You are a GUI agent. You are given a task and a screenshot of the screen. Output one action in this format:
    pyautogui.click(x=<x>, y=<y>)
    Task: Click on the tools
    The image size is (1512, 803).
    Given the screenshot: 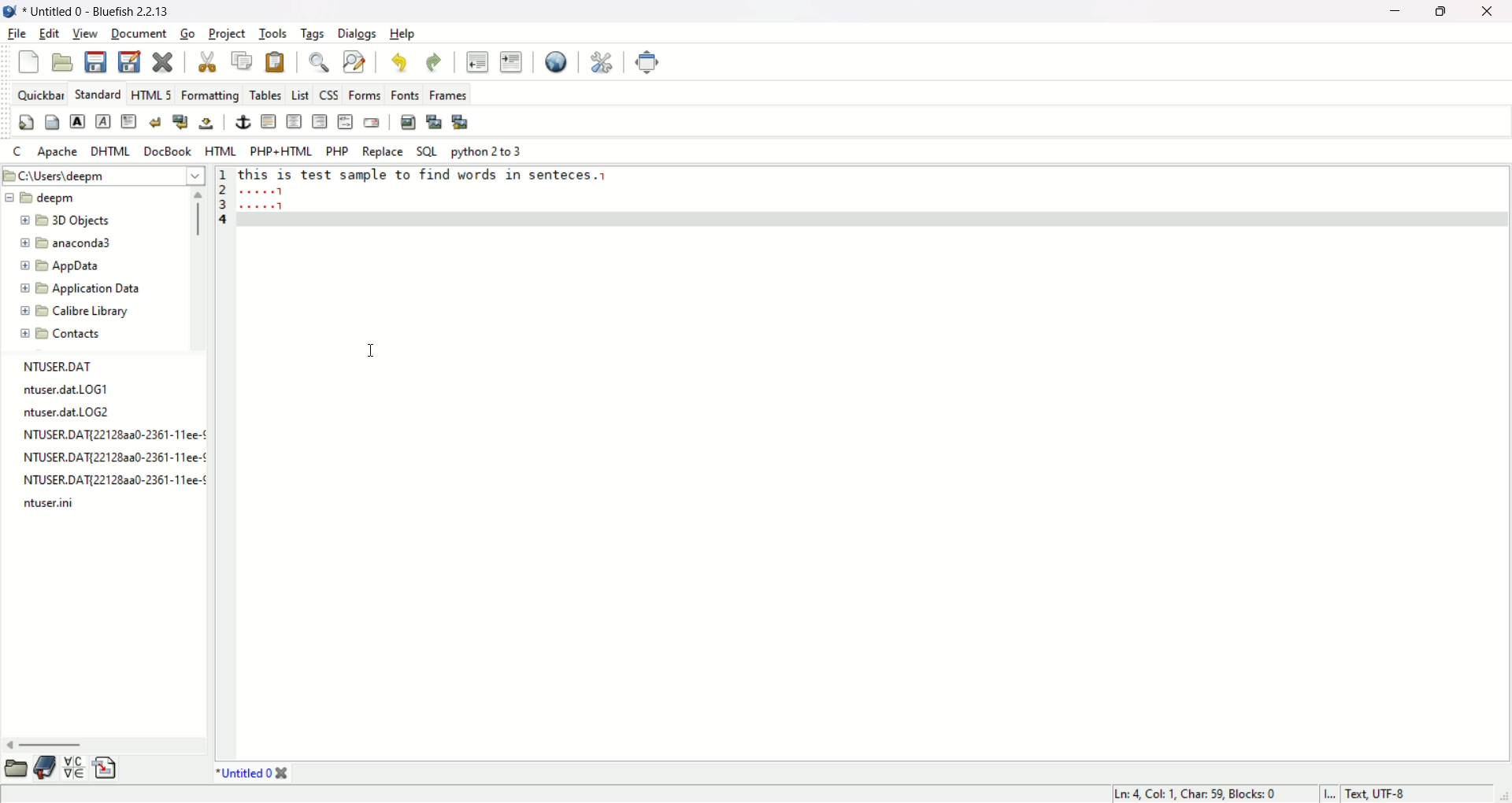 What is the action you would take?
    pyautogui.click(x=272, y=33)
    